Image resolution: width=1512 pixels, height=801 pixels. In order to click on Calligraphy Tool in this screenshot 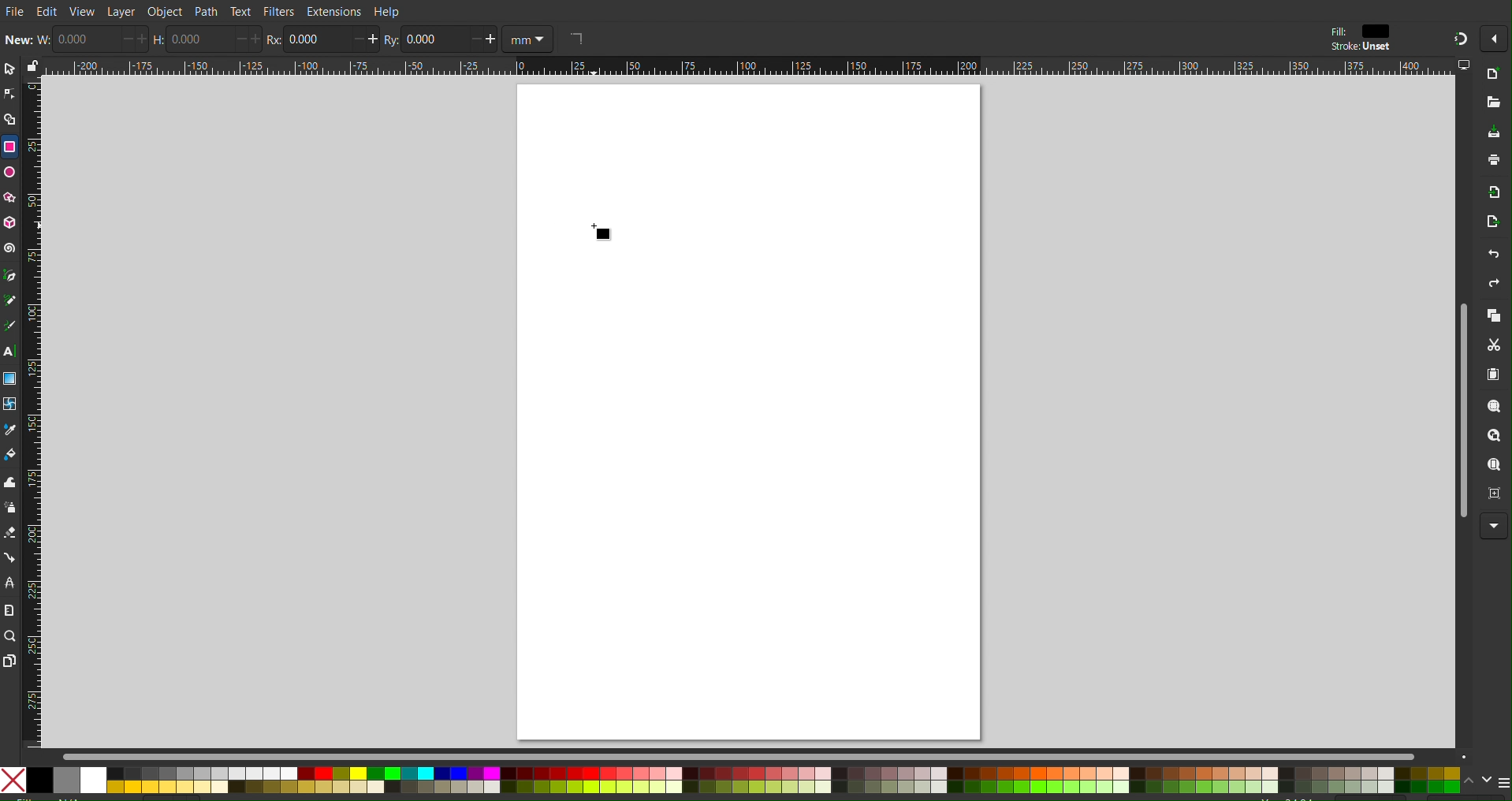, I will do `click(9, 326)`.